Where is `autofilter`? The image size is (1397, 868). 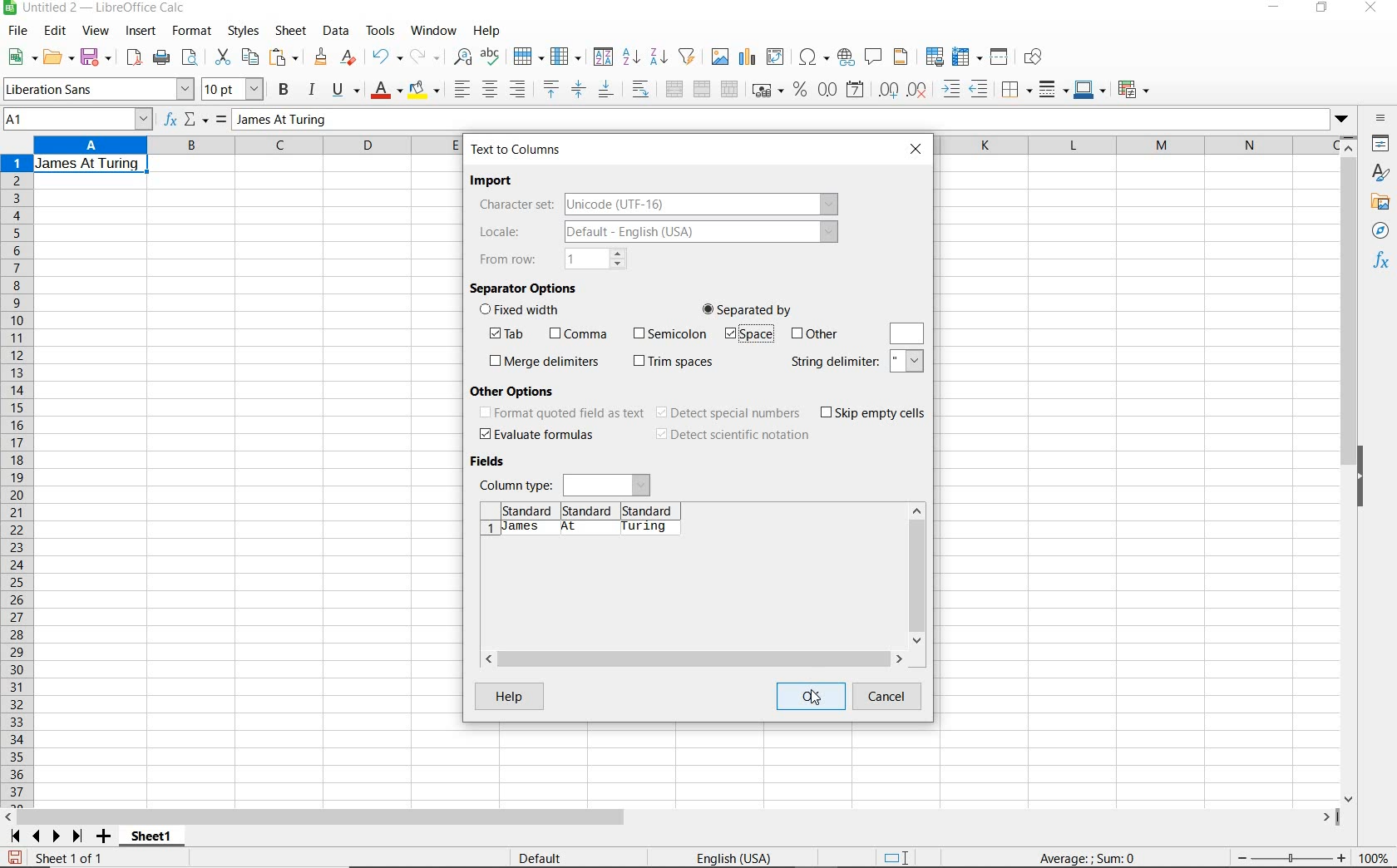
autofilter is located at coordinates (687, 57).